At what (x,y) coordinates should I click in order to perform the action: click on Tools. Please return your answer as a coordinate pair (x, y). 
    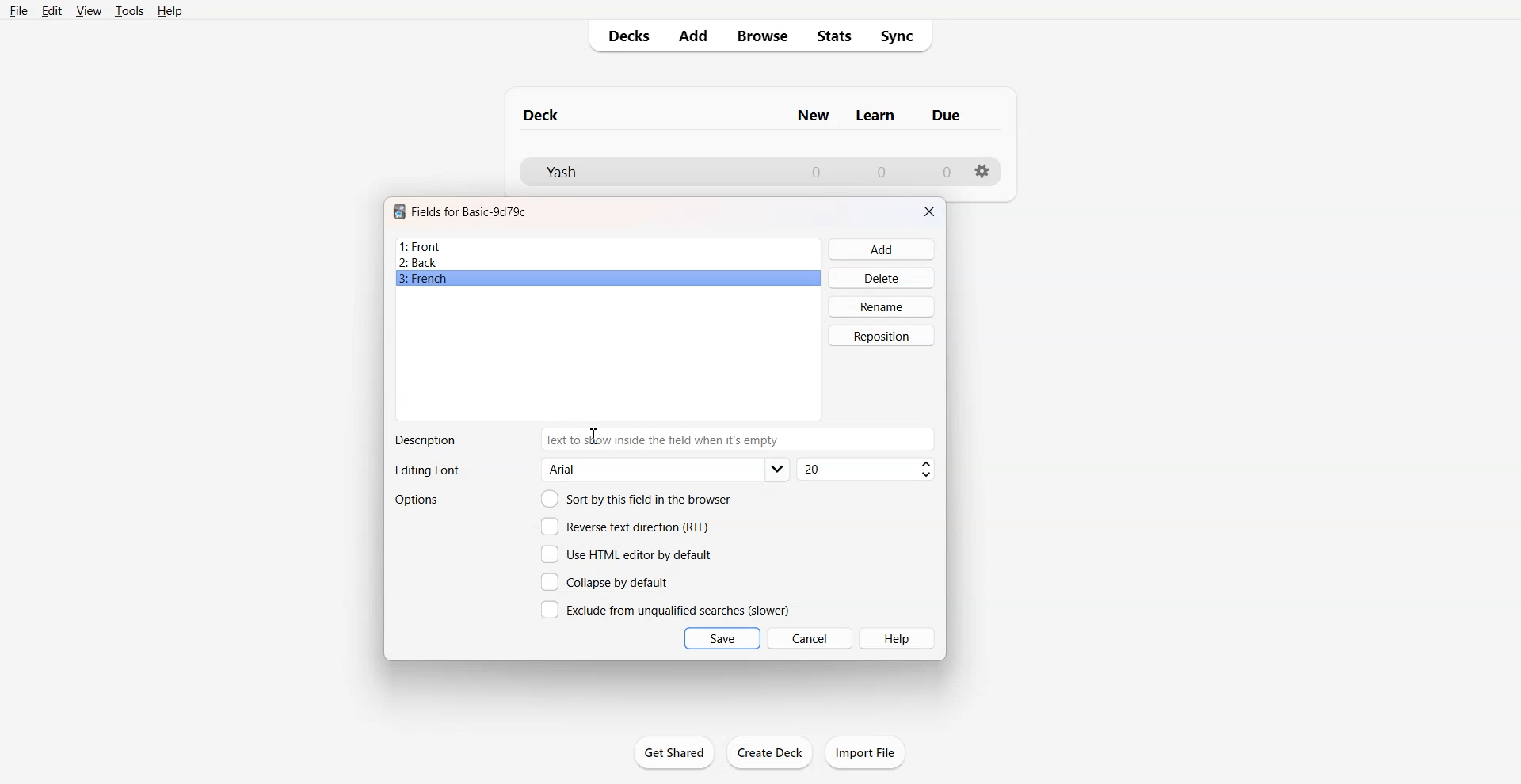
    Looking at the image, I should click on (129, 10).